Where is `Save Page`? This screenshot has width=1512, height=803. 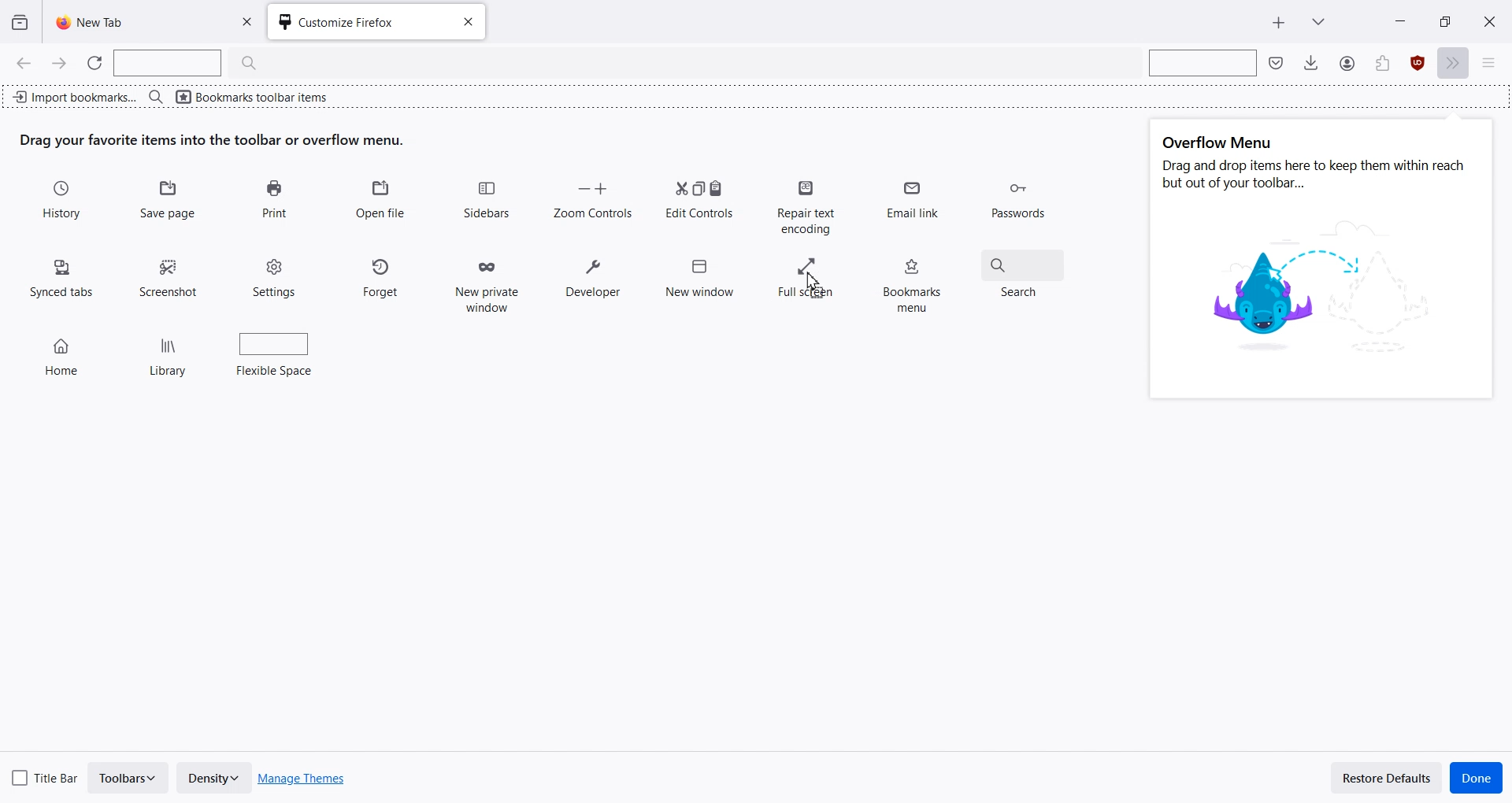
Save Page is located at coordinates (170, 201).